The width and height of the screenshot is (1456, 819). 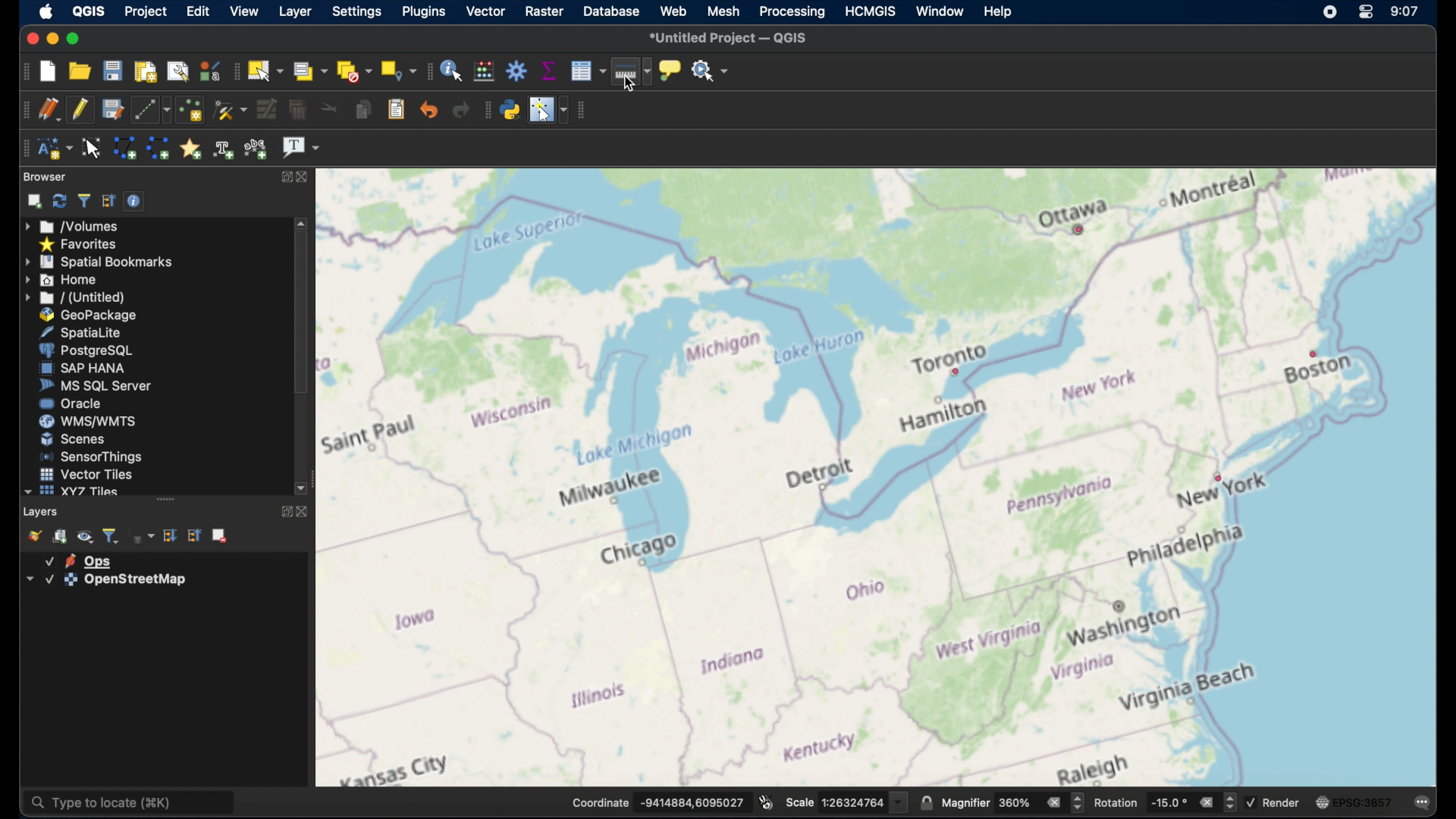 I want to click on open street map, so click(x=1323, y=424).